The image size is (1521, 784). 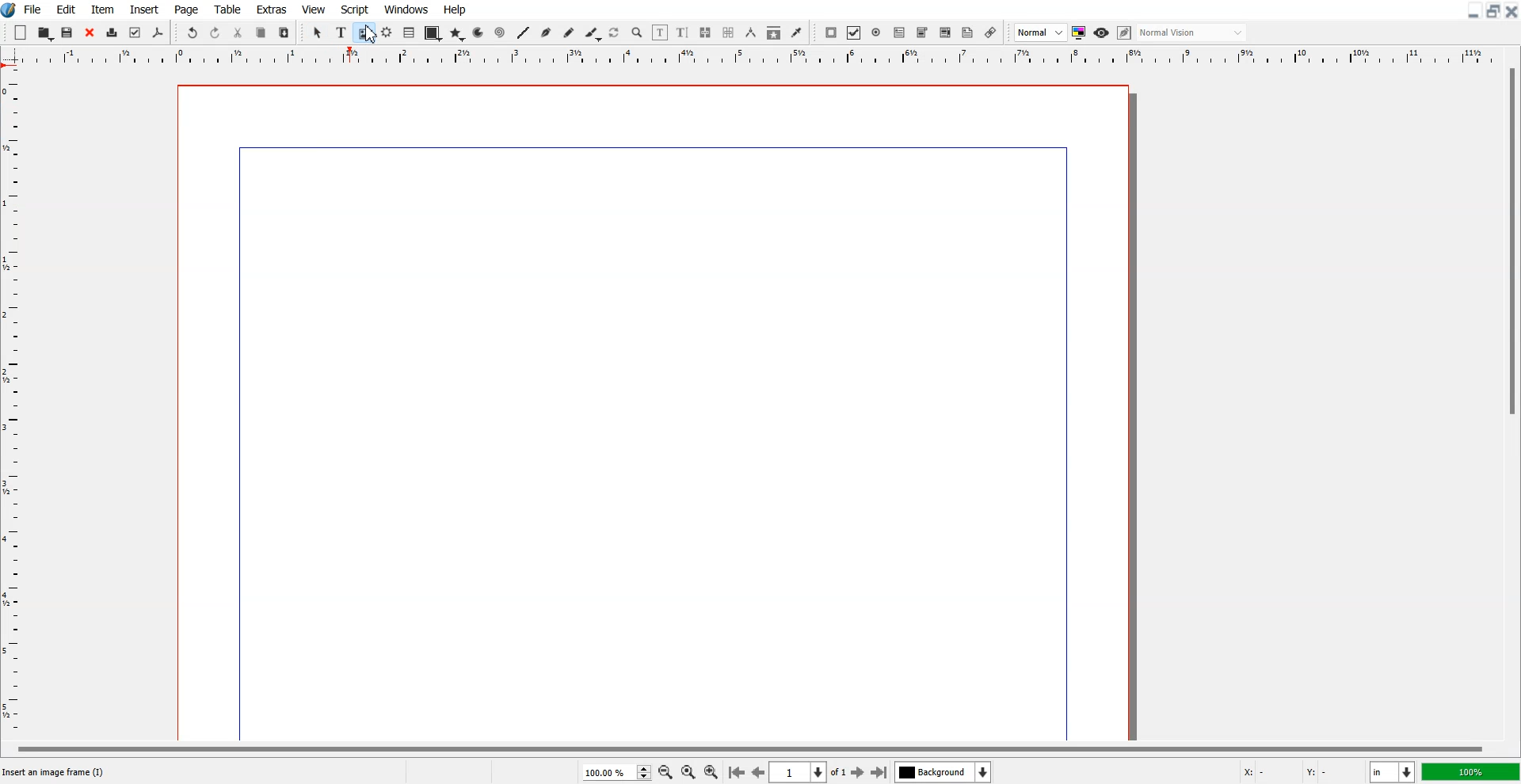 What do you see at coordinates (318, 33) in the screenshot?
I see `Select Item` at bounding box center [318, 33].